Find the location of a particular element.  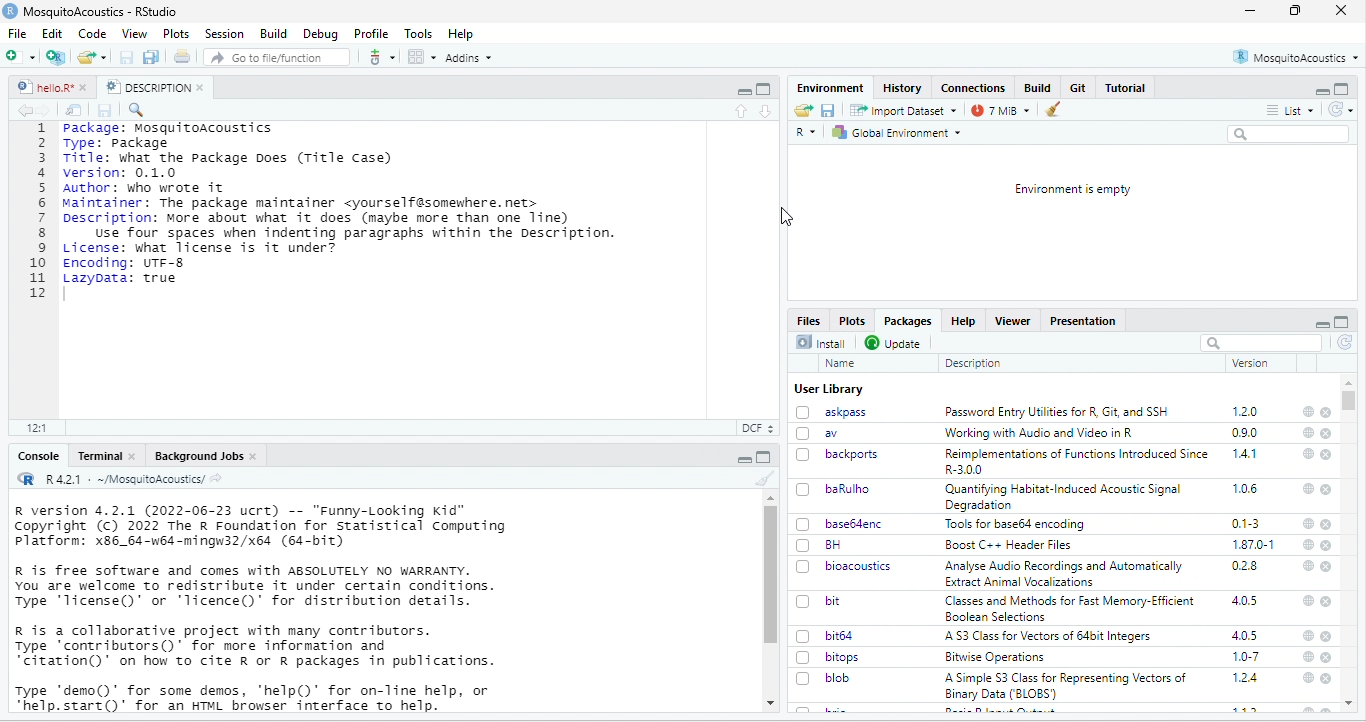

New file is located at coordinates (24, 56).